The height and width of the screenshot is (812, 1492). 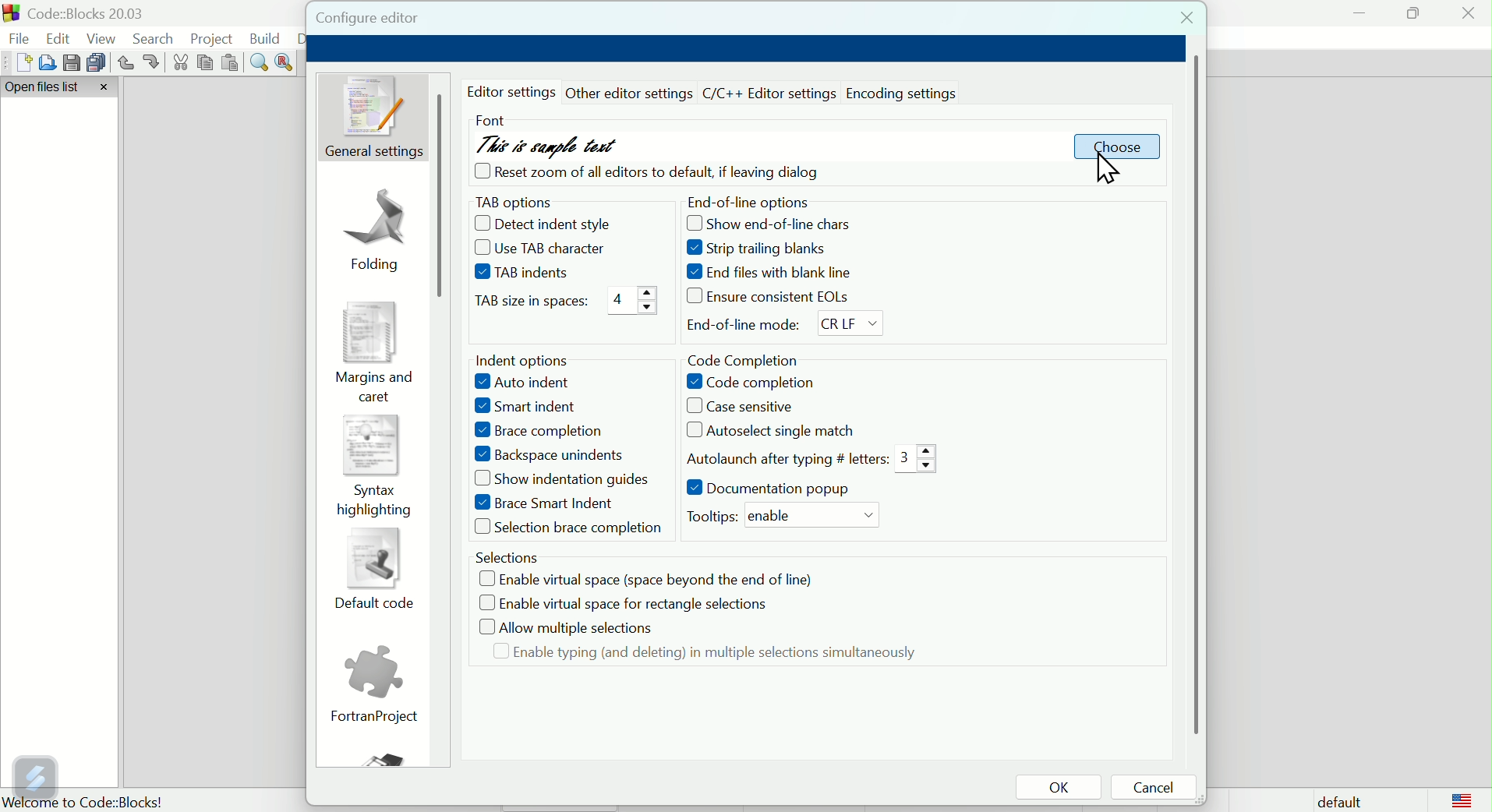 What do you see at coordinates (916, 460) in the screenshot?
I see `3` at bounding box center [916, 460].